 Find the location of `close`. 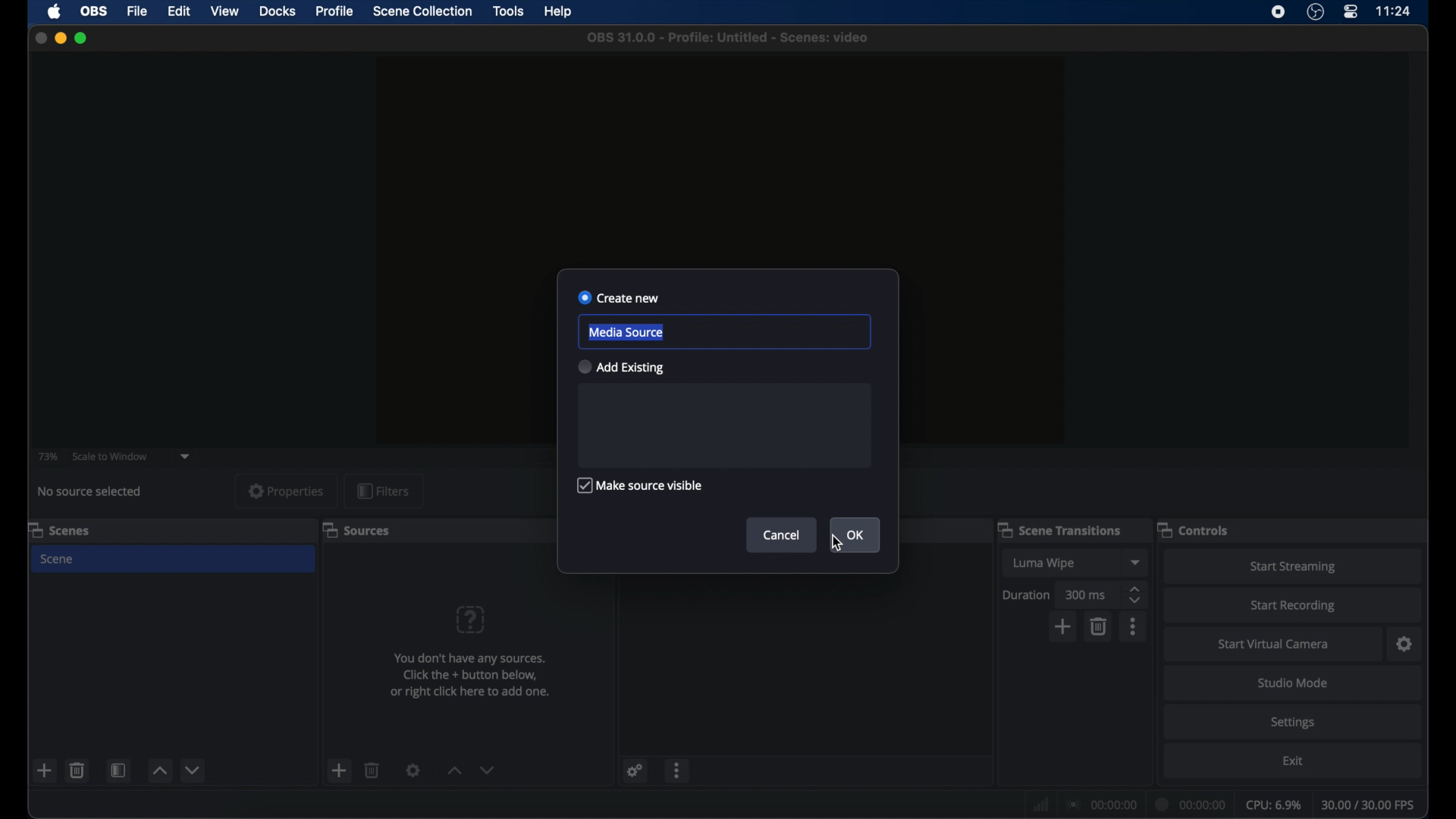

close is located at coordinates (40, 38).